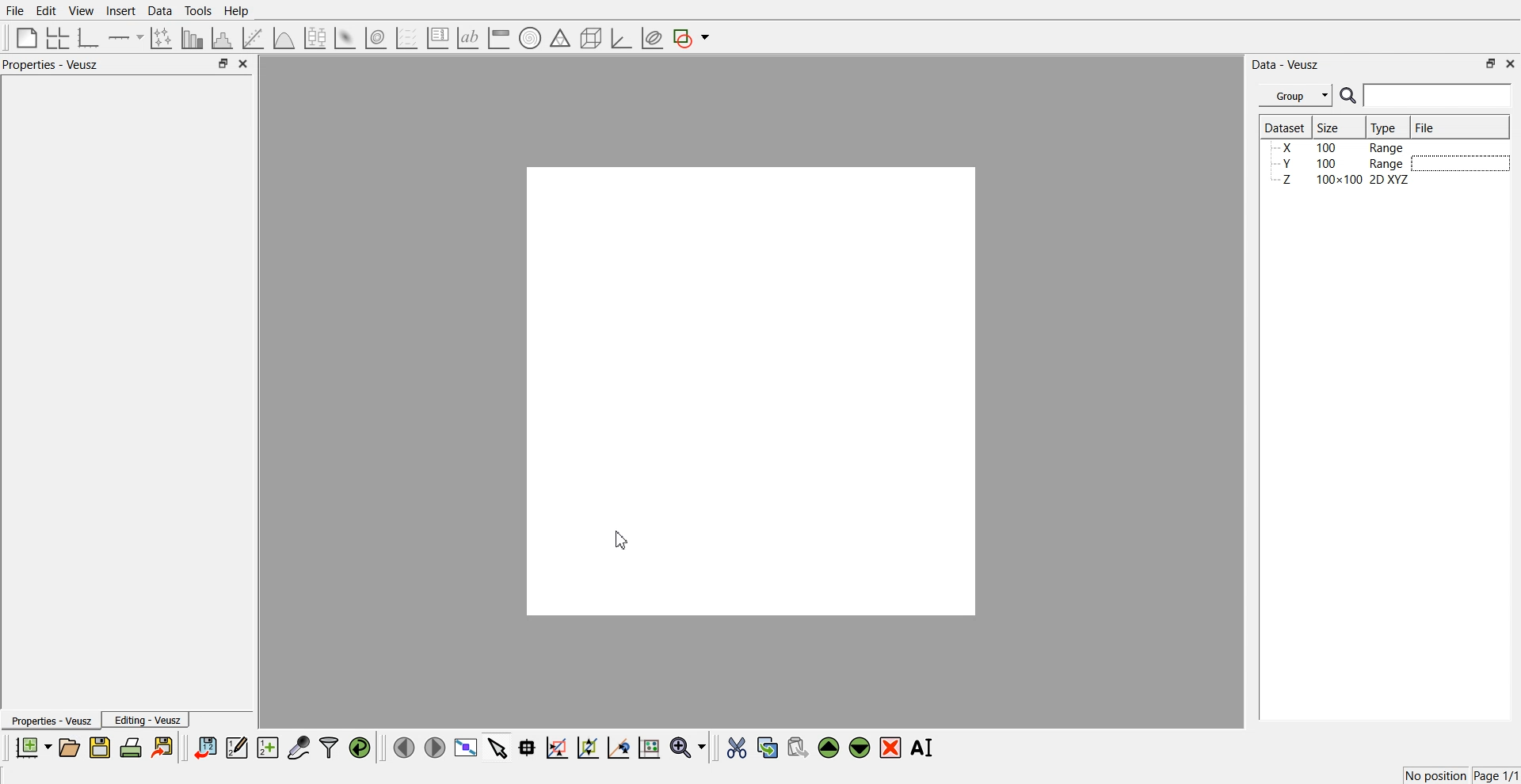 The height and width of the screenshot is (784, 1521). I want to click on Add axis to the pane, so click(125, 39).